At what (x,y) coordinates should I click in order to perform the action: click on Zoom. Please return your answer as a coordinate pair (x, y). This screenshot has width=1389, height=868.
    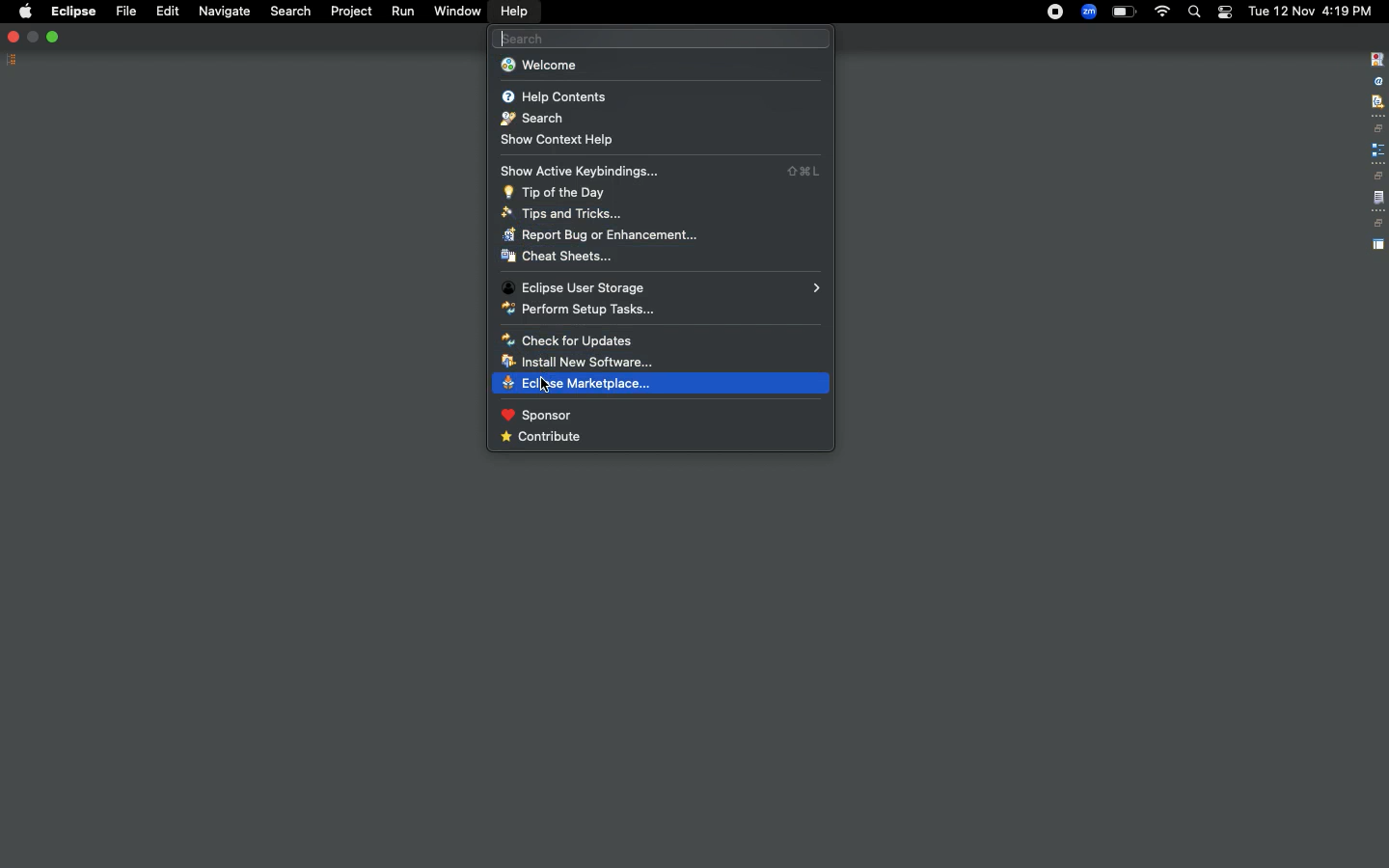
    Looking at the image, I should click on (1088, 12).